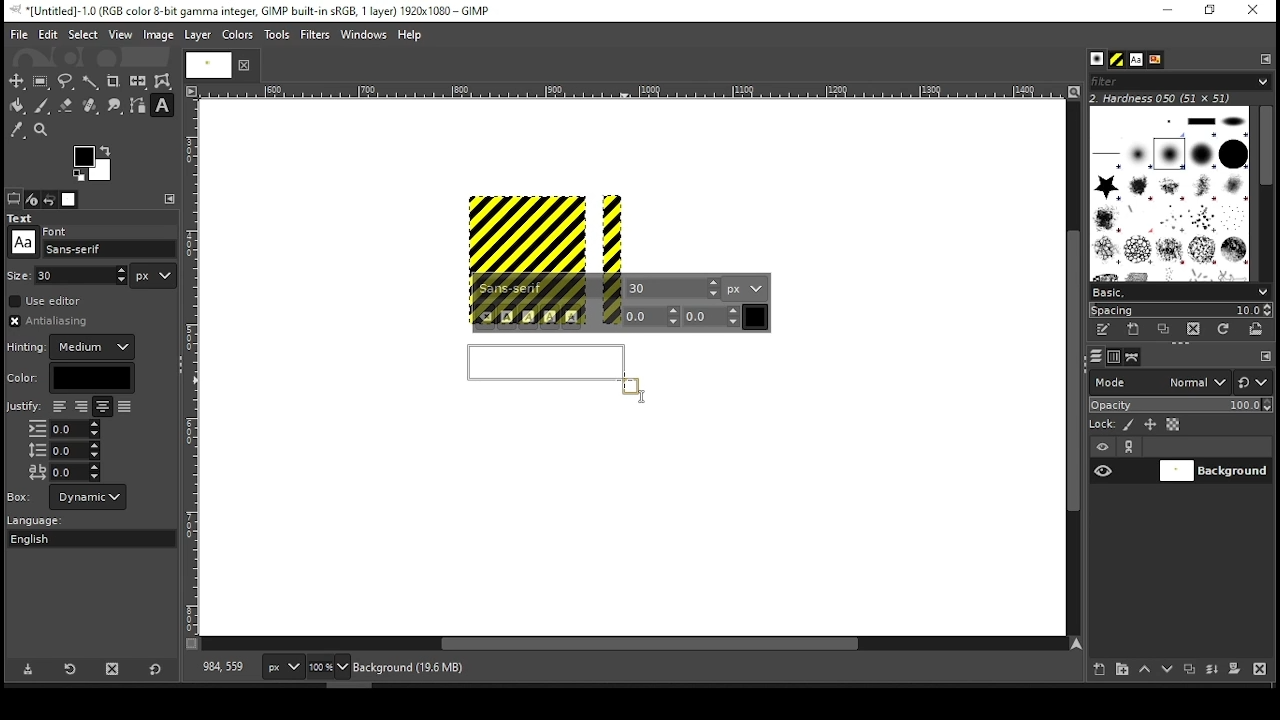 The width and height of the screenshot is (1280, 720). Describe the element at coordinates (1154, 60) in the screenshot. I see `document history` at that location.